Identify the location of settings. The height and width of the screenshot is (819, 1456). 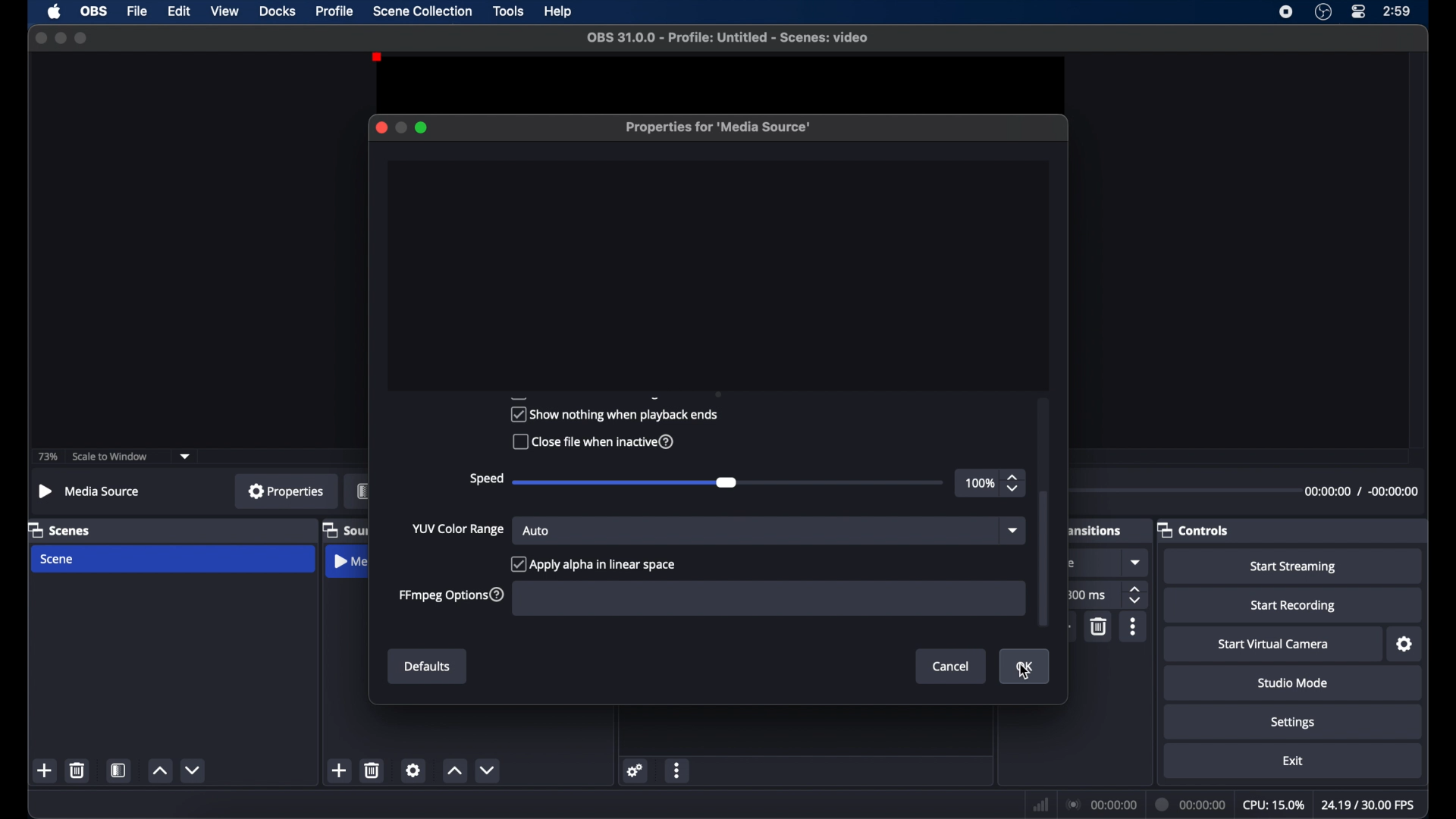
(1406, 645).